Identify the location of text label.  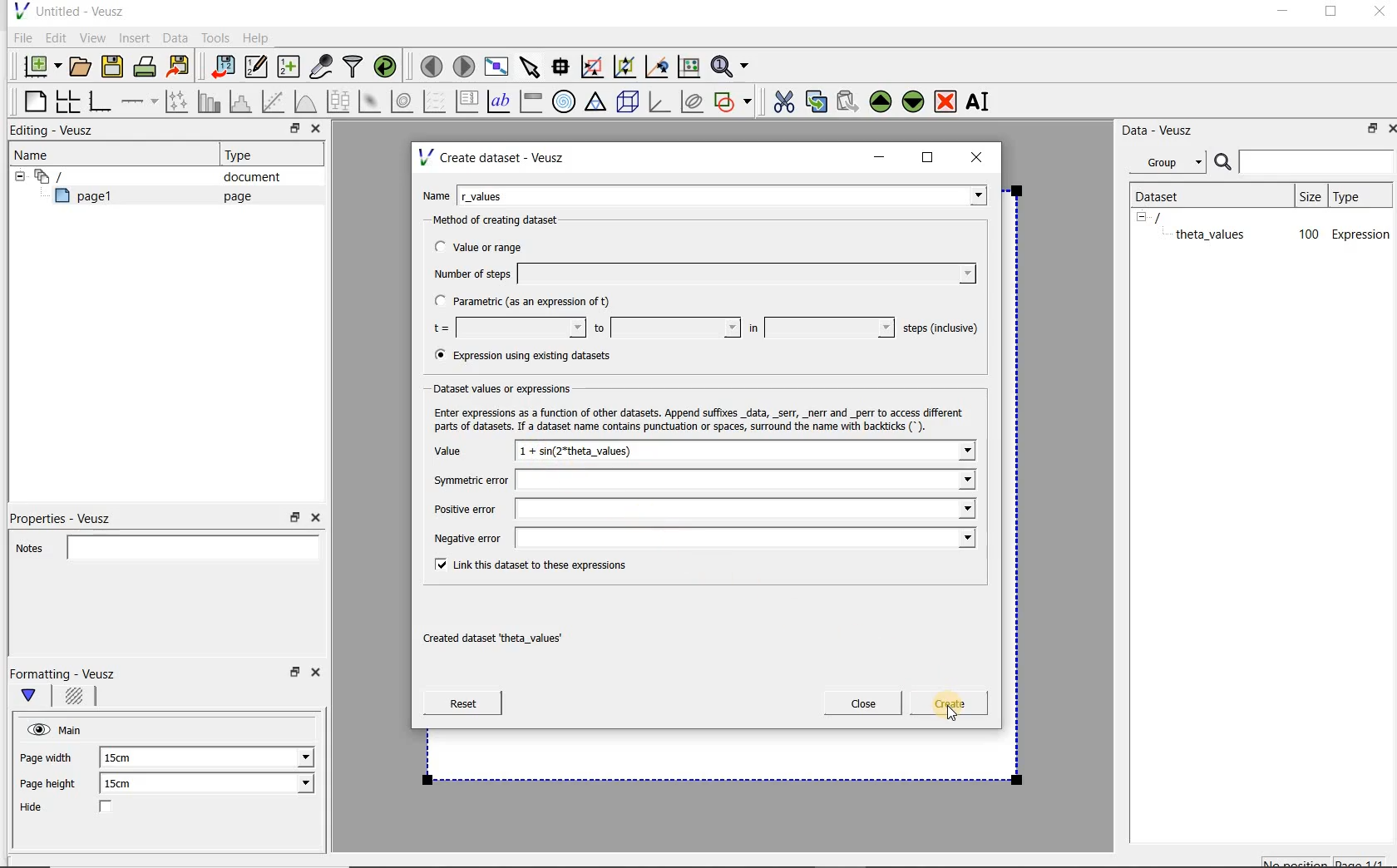
(501, 101).